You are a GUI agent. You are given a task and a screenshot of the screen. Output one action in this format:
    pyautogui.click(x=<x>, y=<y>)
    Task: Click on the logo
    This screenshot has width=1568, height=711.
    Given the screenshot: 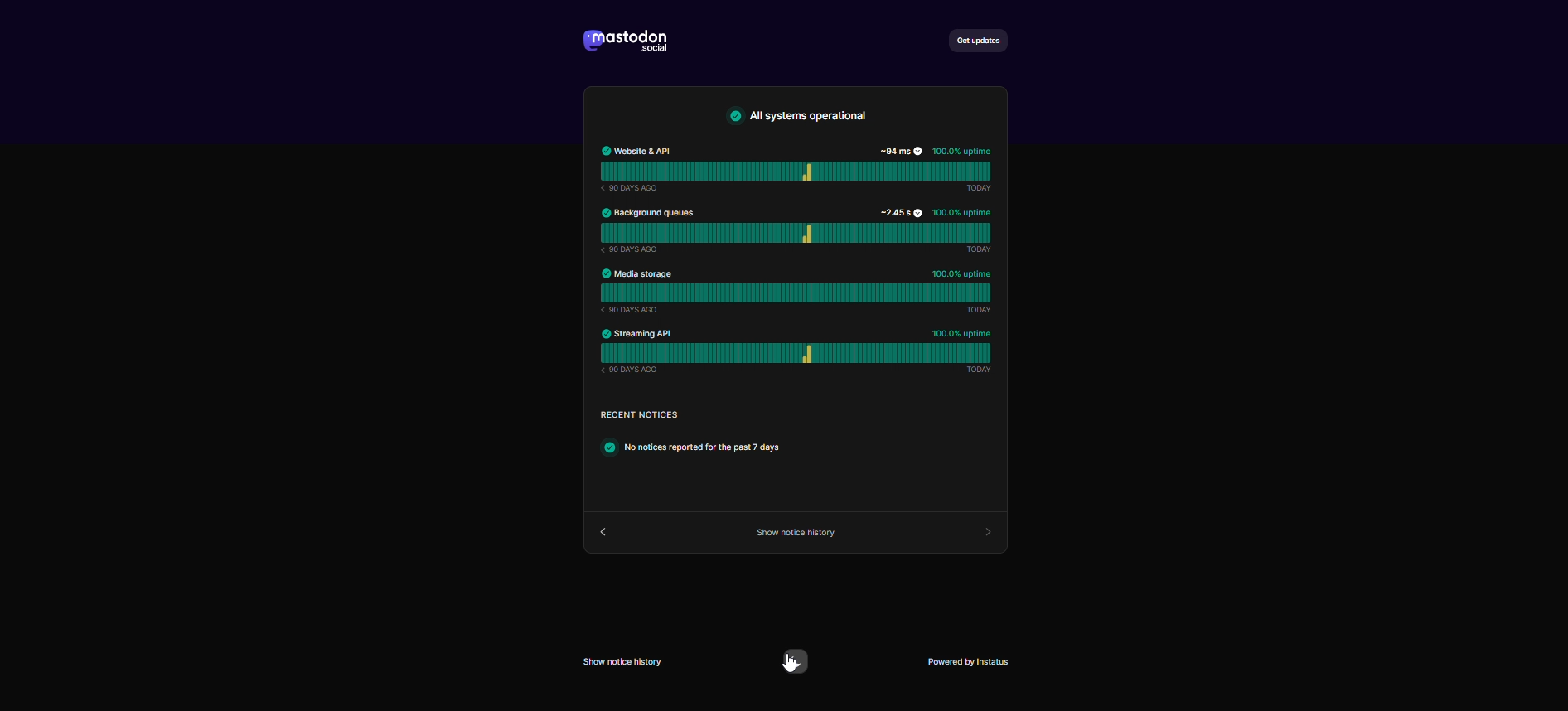 What is the action you would take?
    pyautogui.click(x=634, y=40)
    